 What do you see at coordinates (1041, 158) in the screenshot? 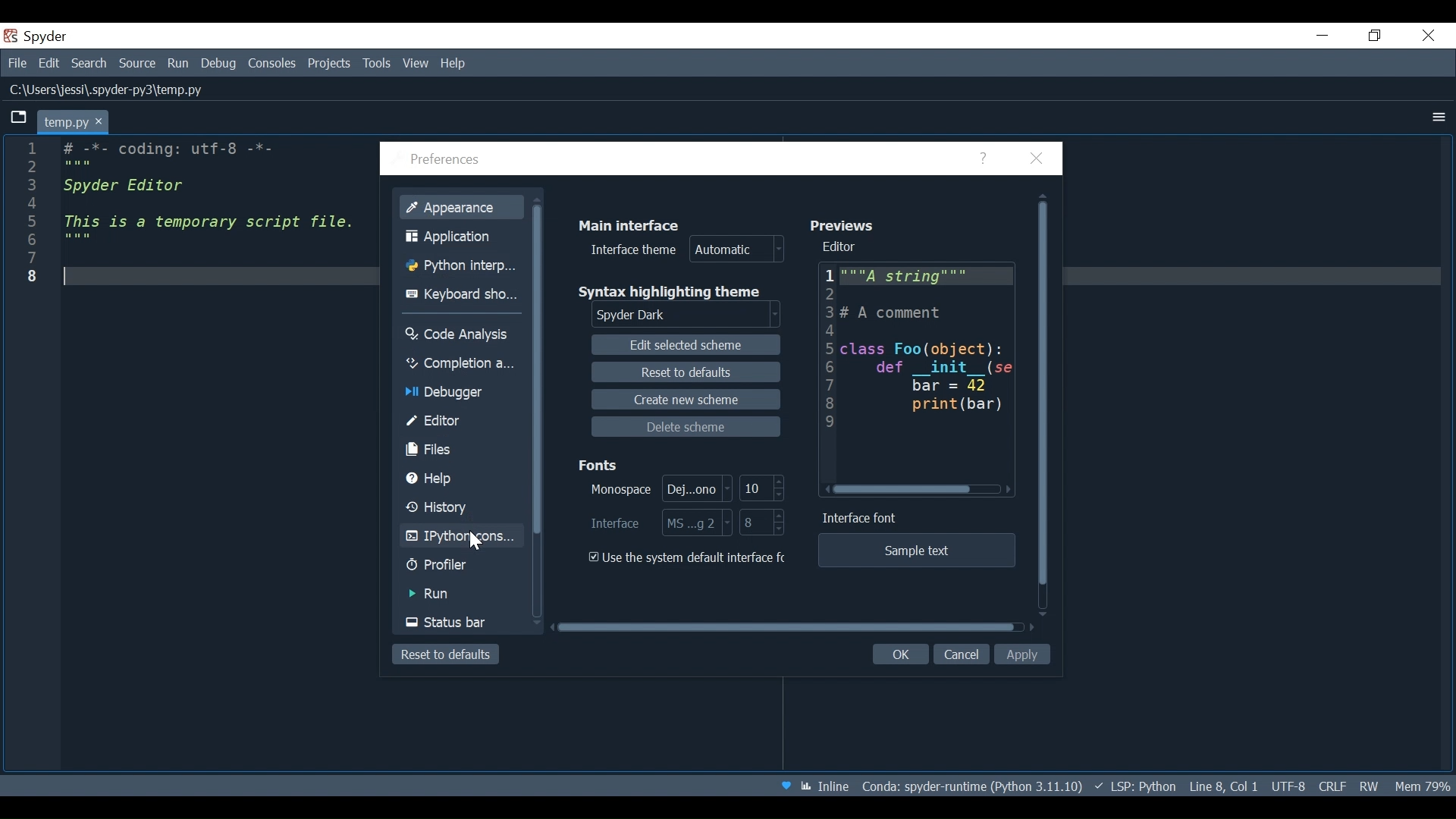
I see `Close` at bounding box center [1041, 158].